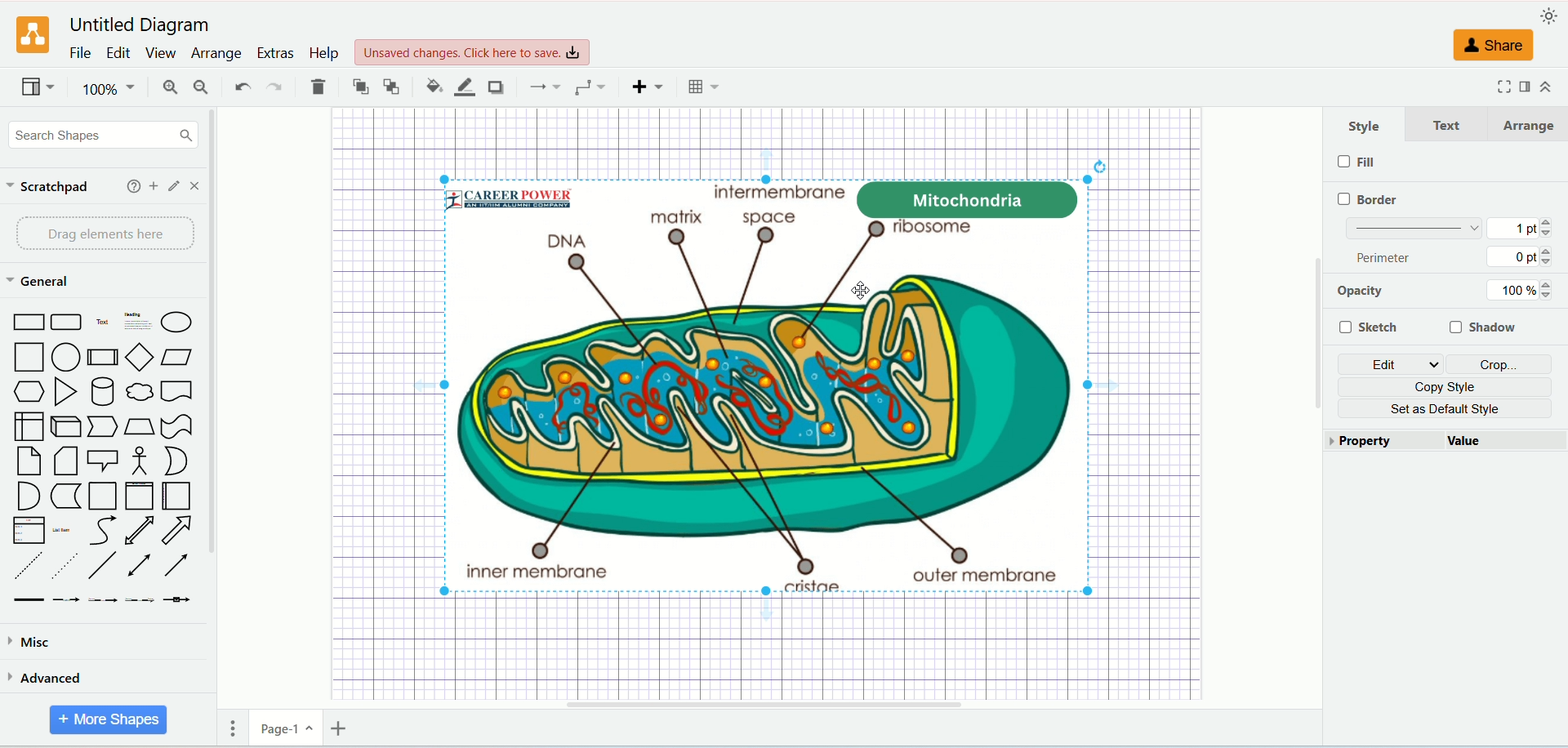 This screenshot has height=748, width=1568. I want to click on to front, so click(359, 86).